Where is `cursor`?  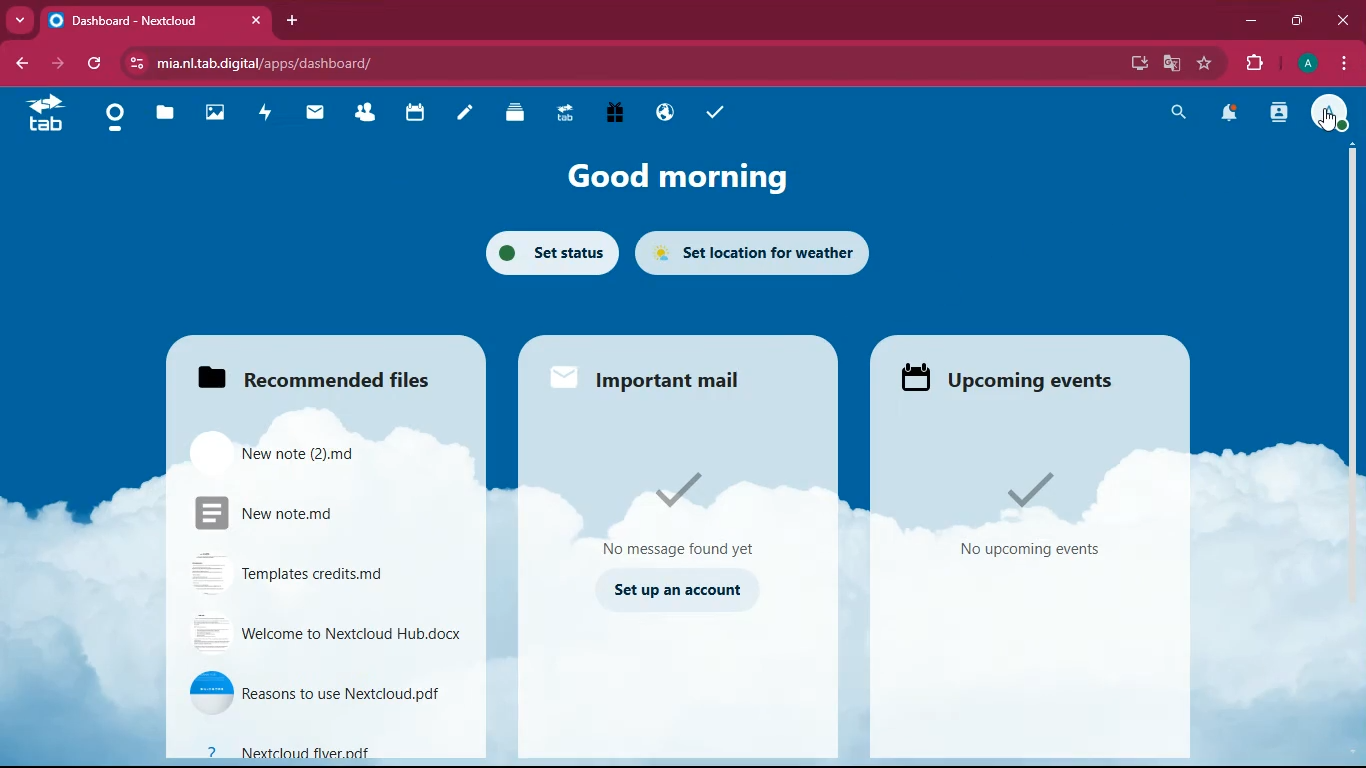 cursor is located at coordinates (1325, 127).